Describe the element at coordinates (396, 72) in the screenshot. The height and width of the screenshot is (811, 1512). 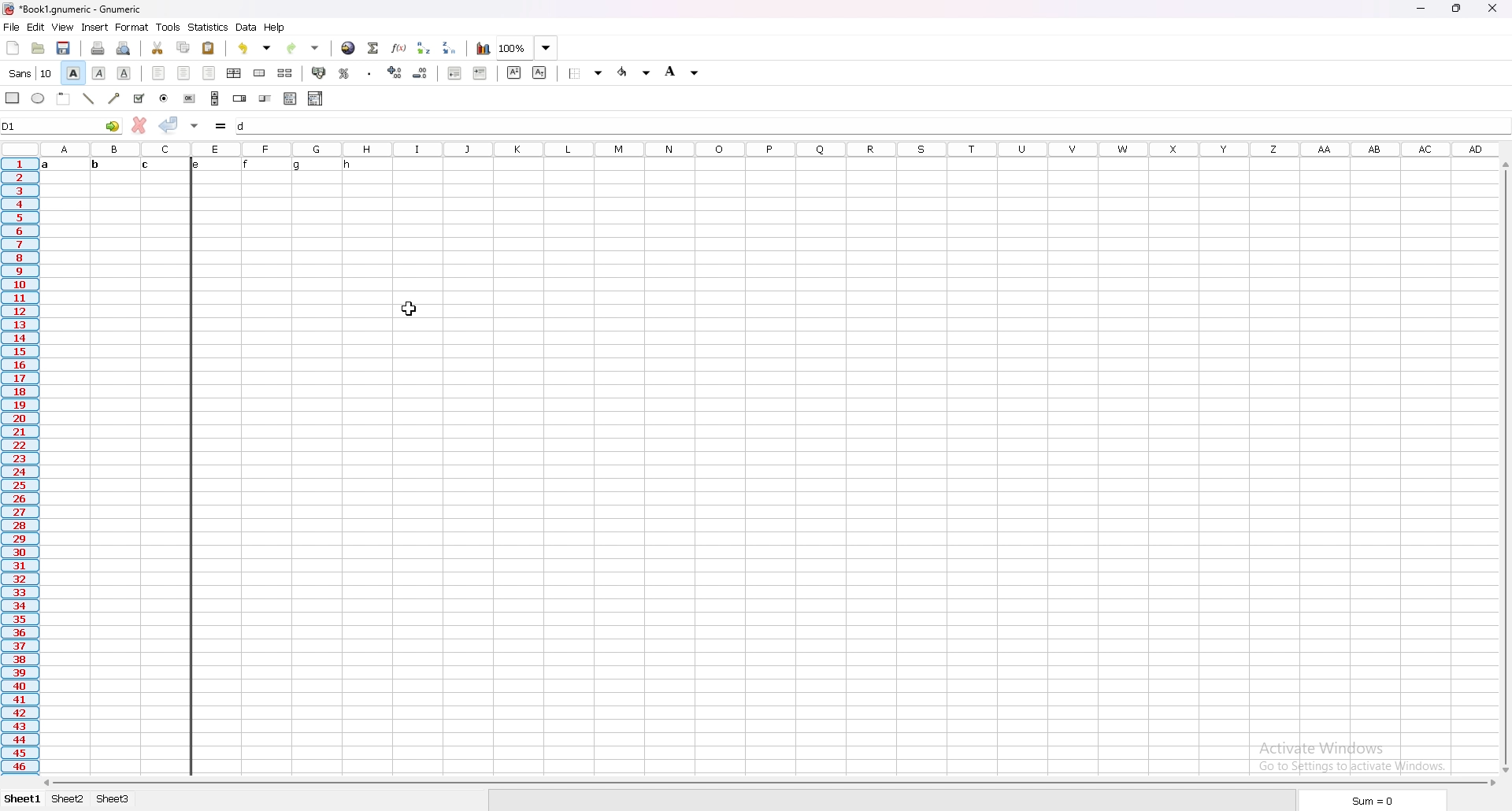
I see `increase decimal` at that location.